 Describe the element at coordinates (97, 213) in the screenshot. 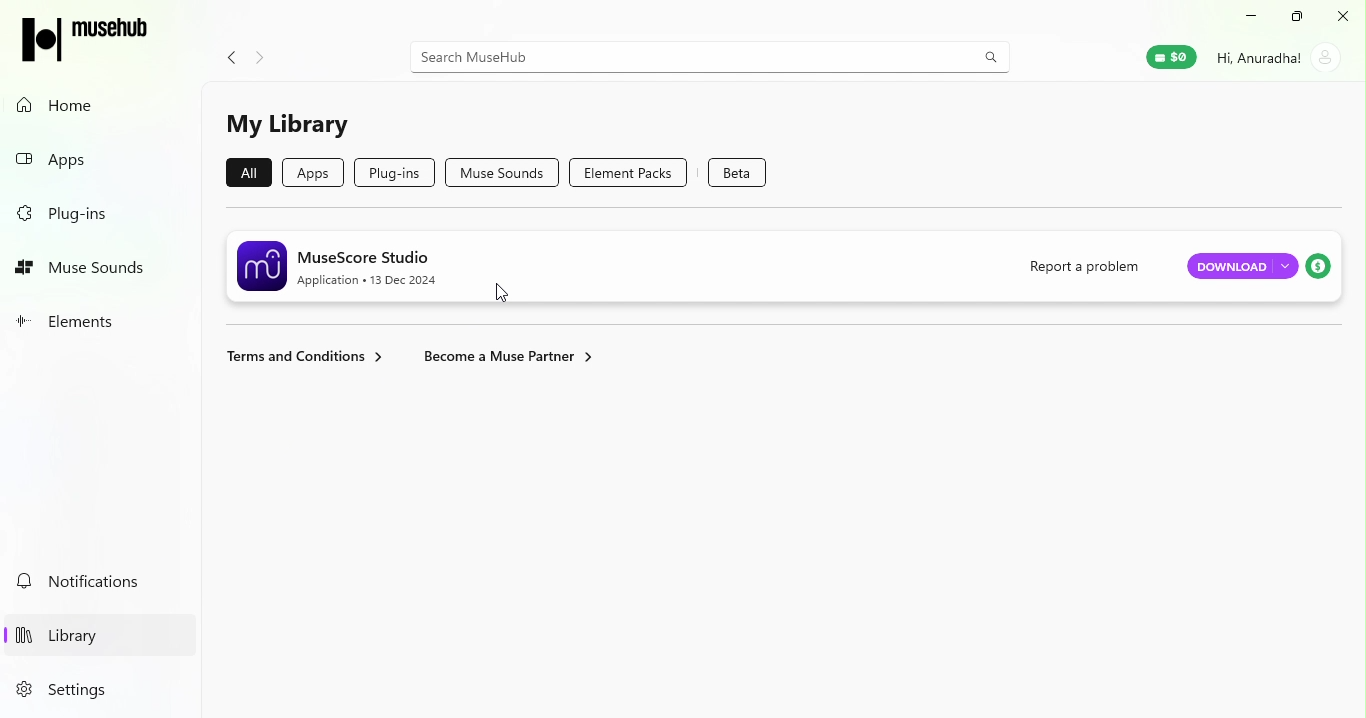

I see `Plug-ins` at that location.